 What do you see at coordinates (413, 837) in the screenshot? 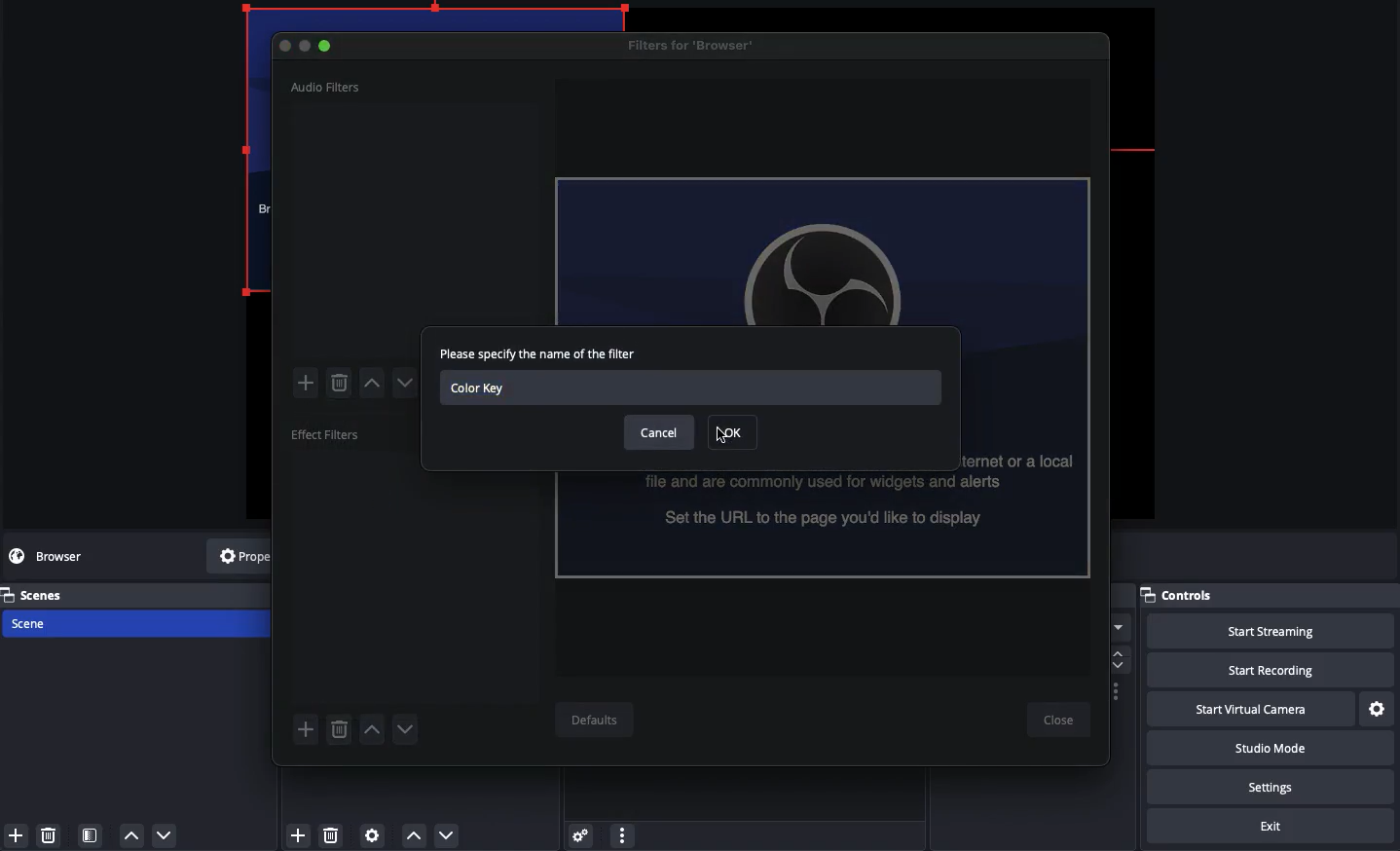
I see `Move up` at bounding box center [413, 837].